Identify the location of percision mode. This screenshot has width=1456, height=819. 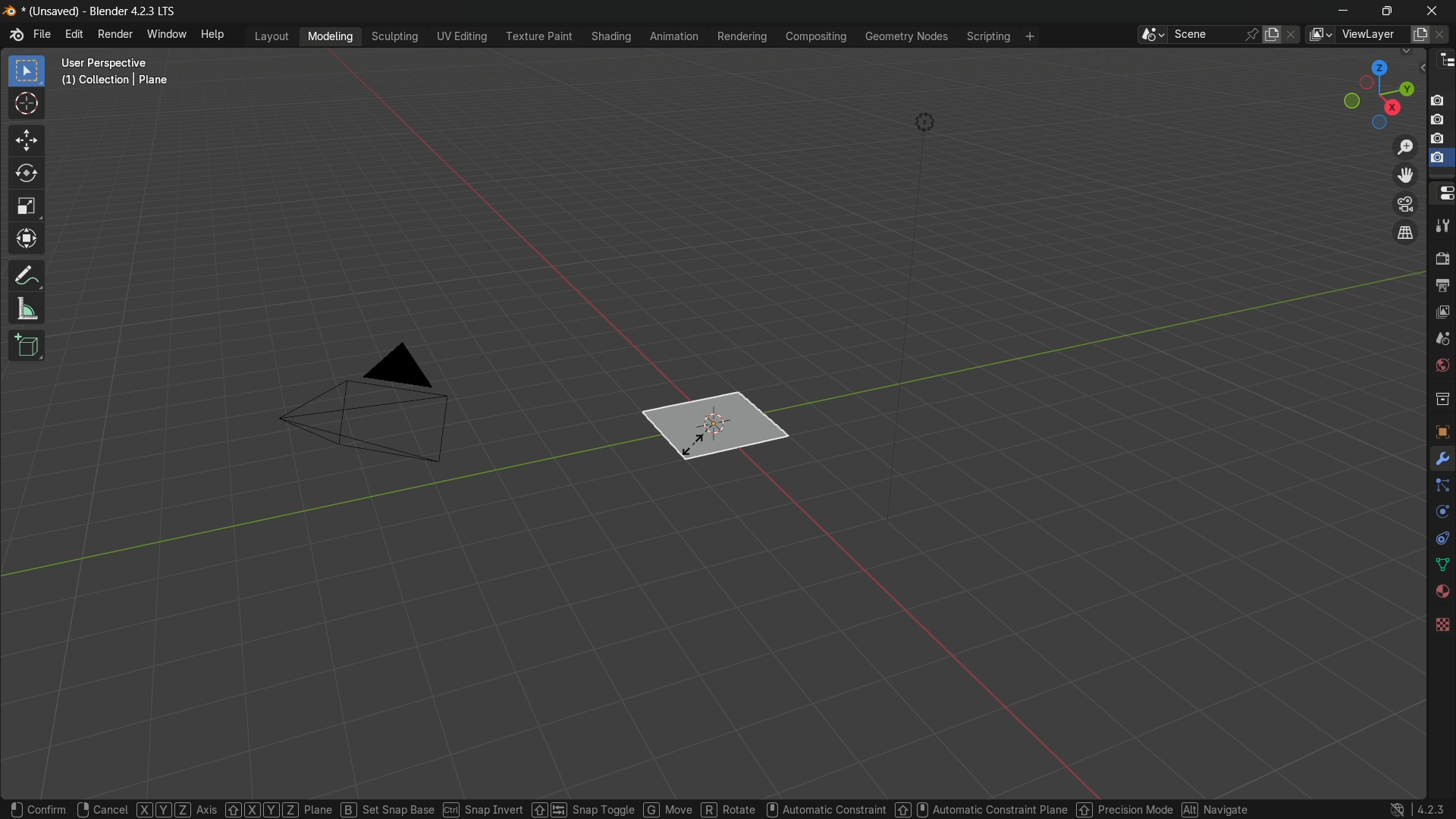
(1123, 805).